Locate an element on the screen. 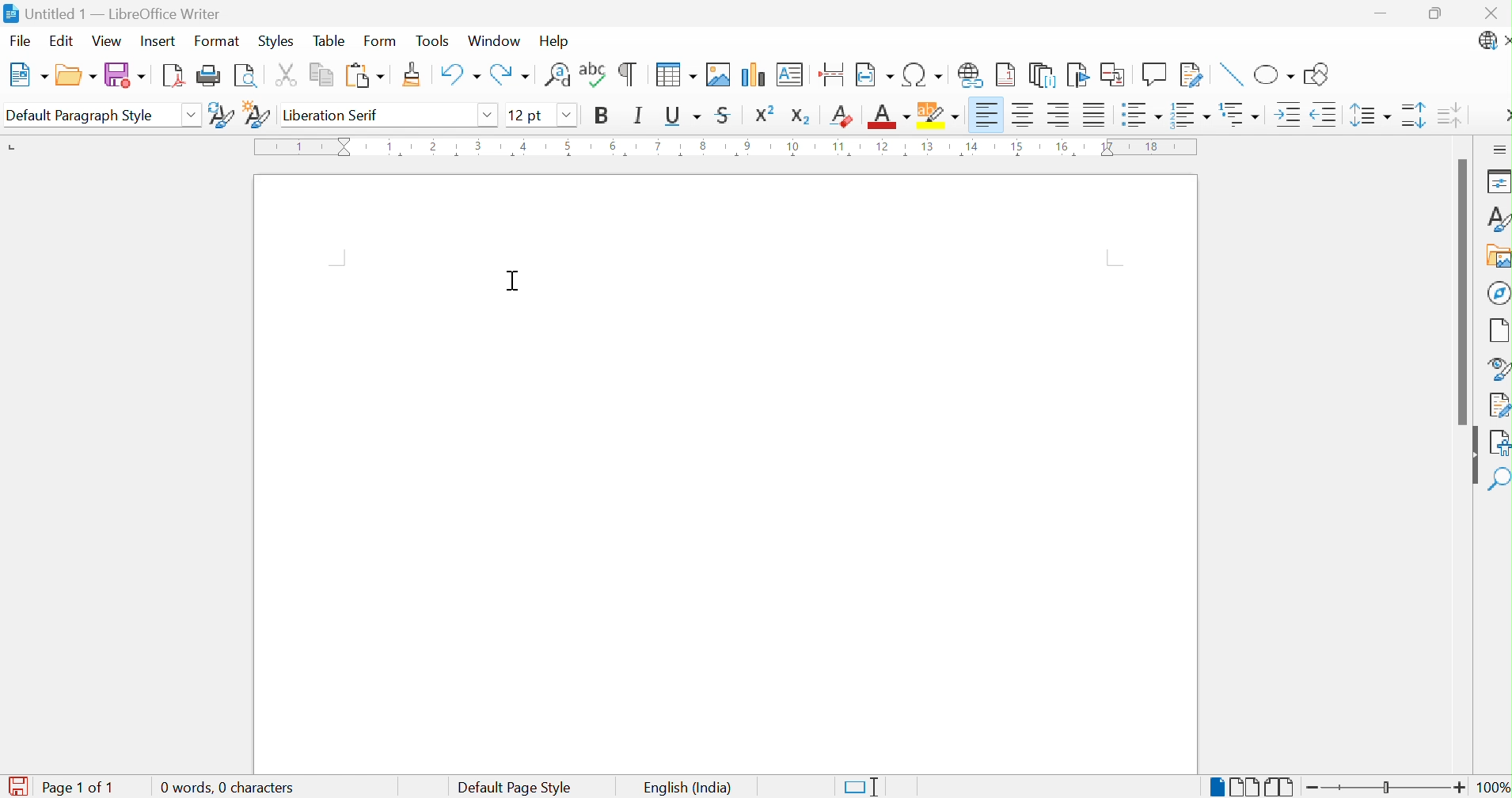 The width and height of the screenshot is (1512, 798). Manage Changes is located at coordinates (1497, 405).